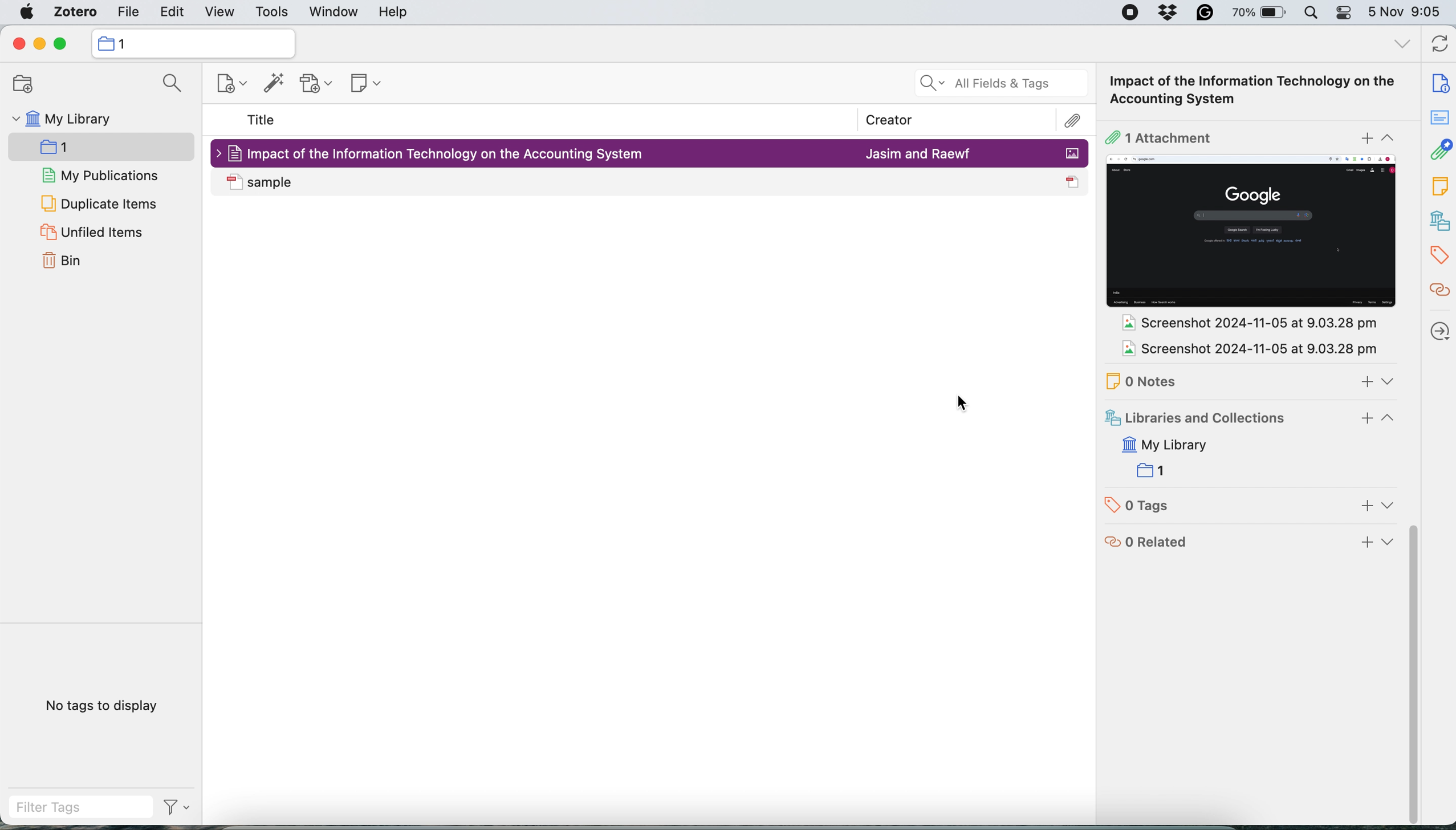 This screenshot has height=830, width=1456. Describe the element at coordinates (262, 121) in the screenshot. I see `title` at that location.